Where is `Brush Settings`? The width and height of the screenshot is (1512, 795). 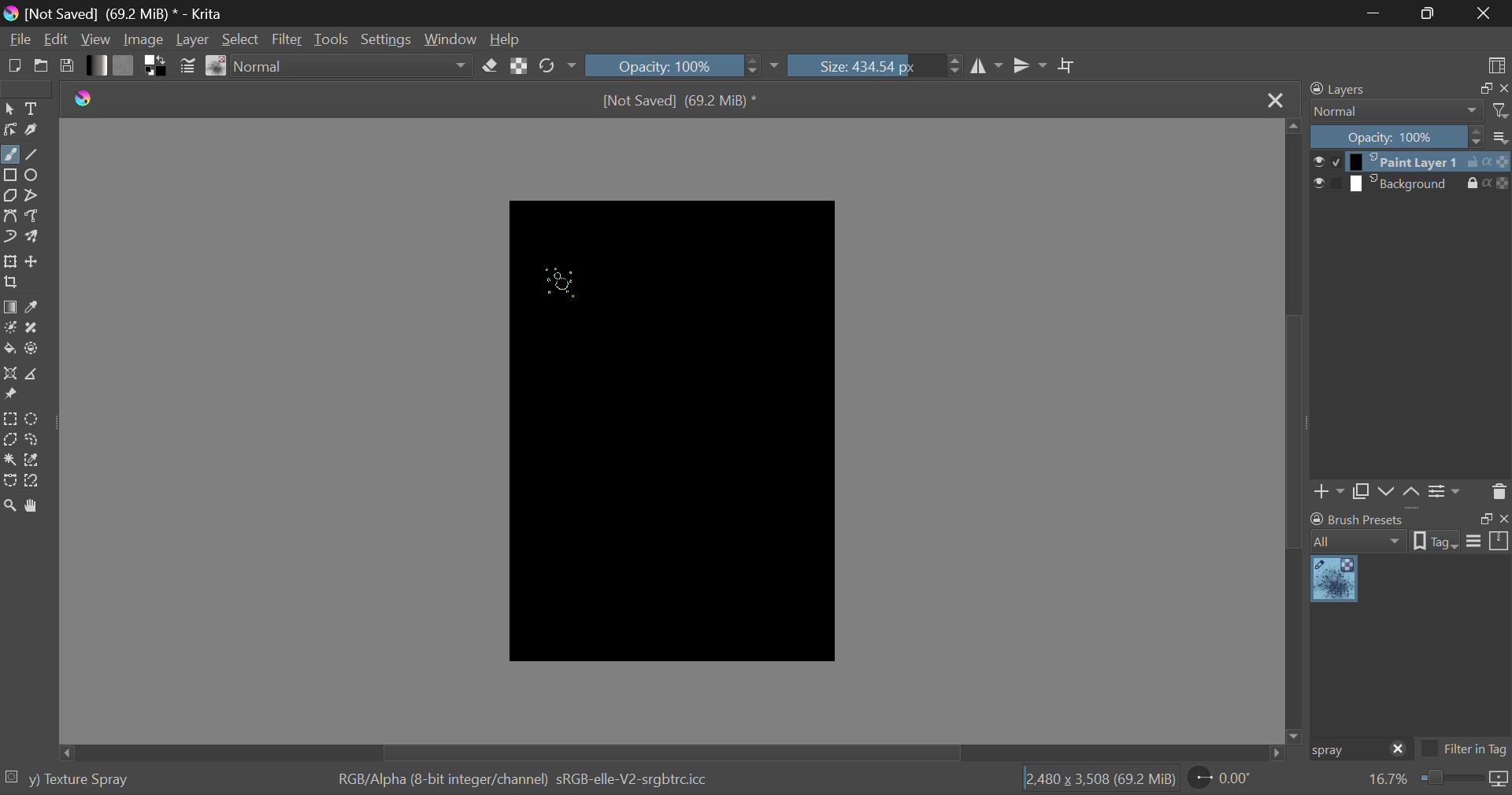 Brush Settings is located at coordinates (188, 68).